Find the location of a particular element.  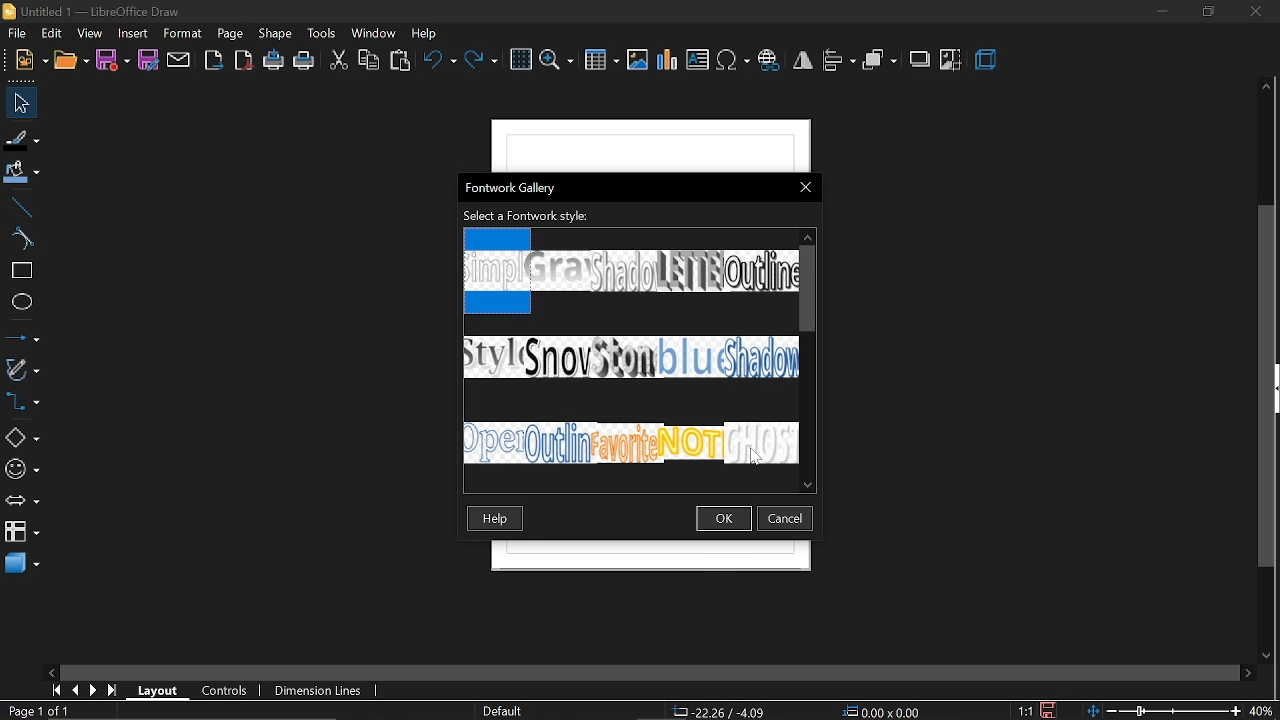

vertical scrollbar is located at coordinates (1268, 388).